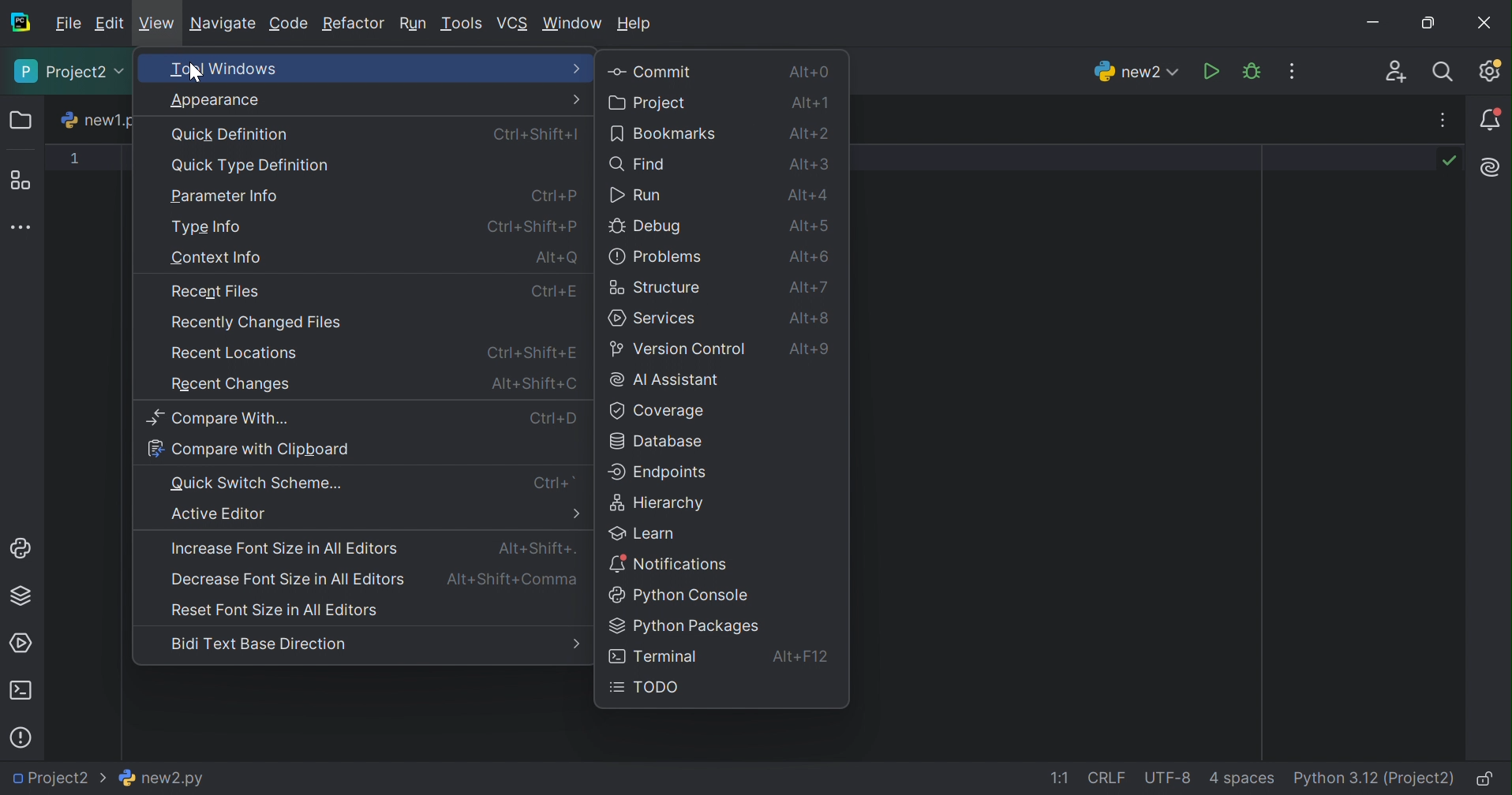 The width and height of the screenshot is (1512, 795). Describe the element at coordinates (636, 25) in the screenshot. I see `Help` at that location.